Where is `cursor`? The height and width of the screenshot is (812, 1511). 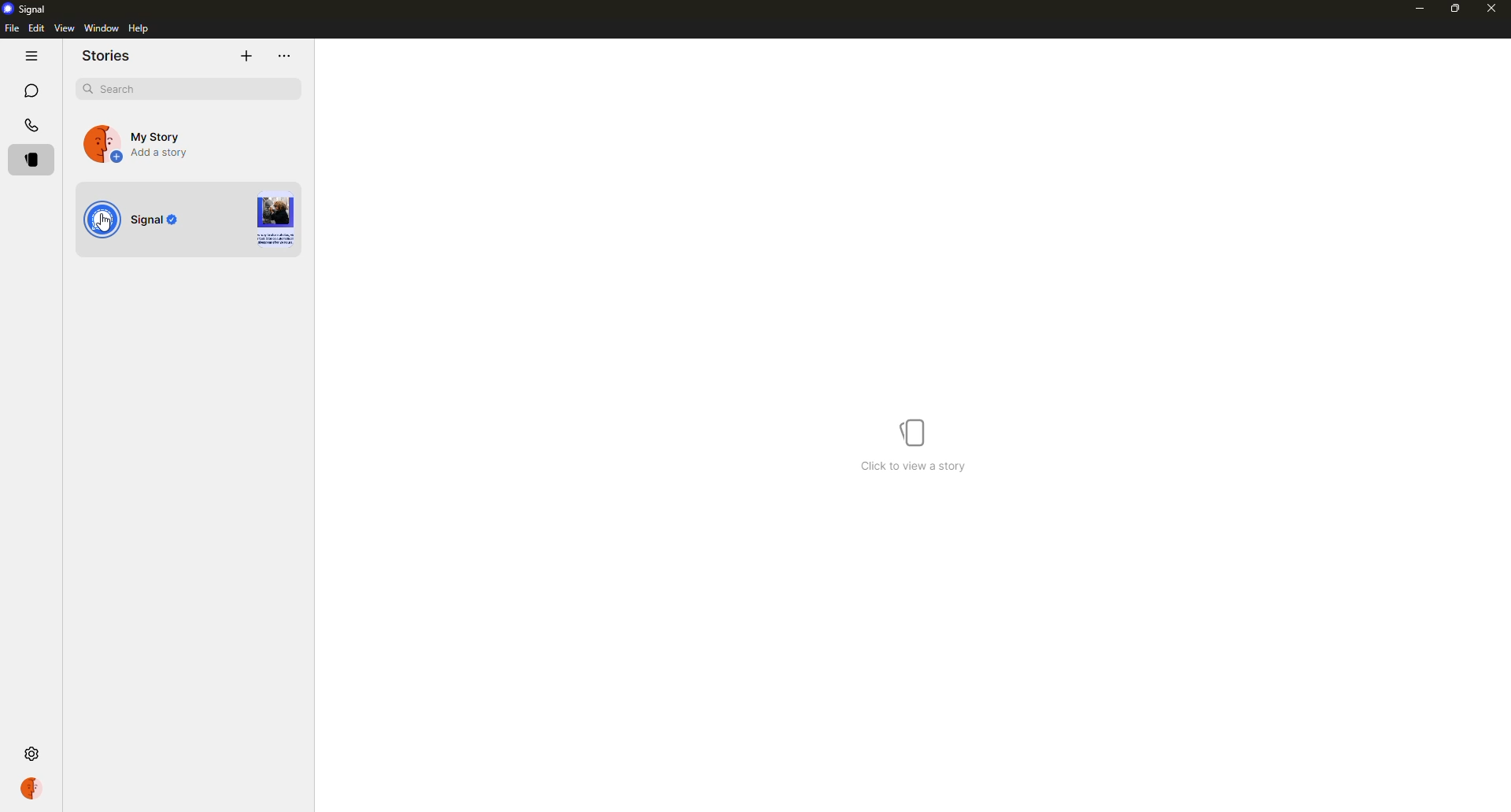 cursor is located at coordinates (105, 222).